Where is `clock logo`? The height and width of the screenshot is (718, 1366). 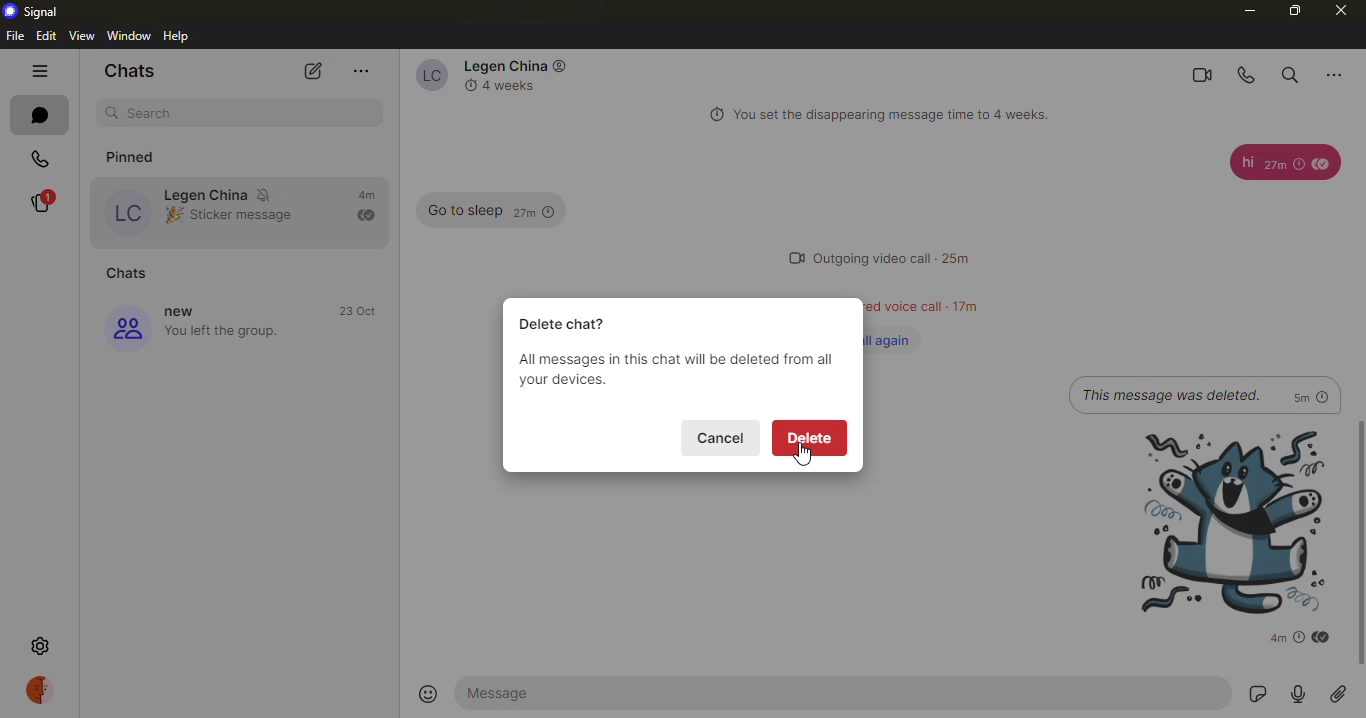
clock logo is located at coordinates (712, 115).